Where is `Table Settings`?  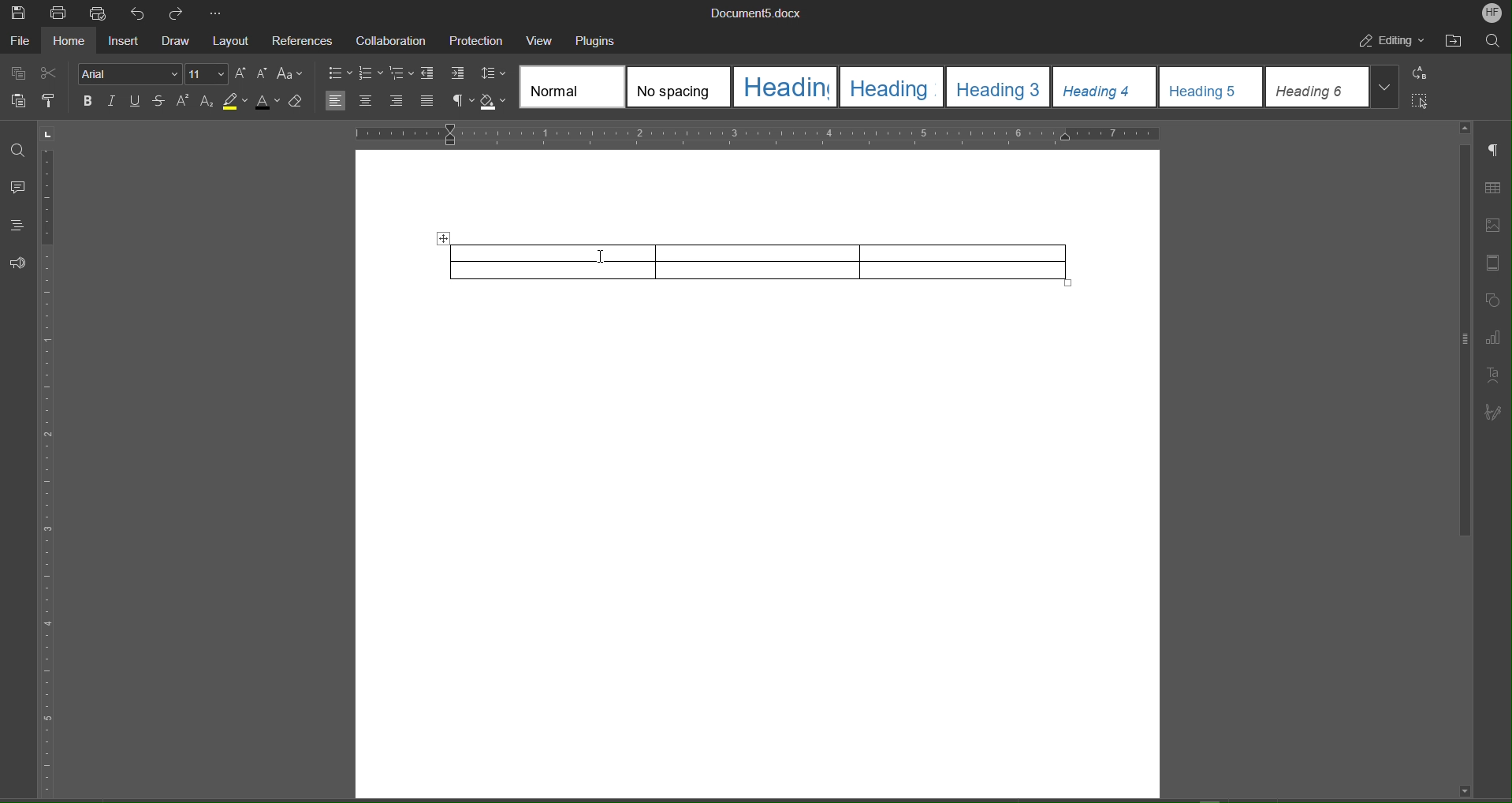
Table Settings is located at coordinates (1495, 187).